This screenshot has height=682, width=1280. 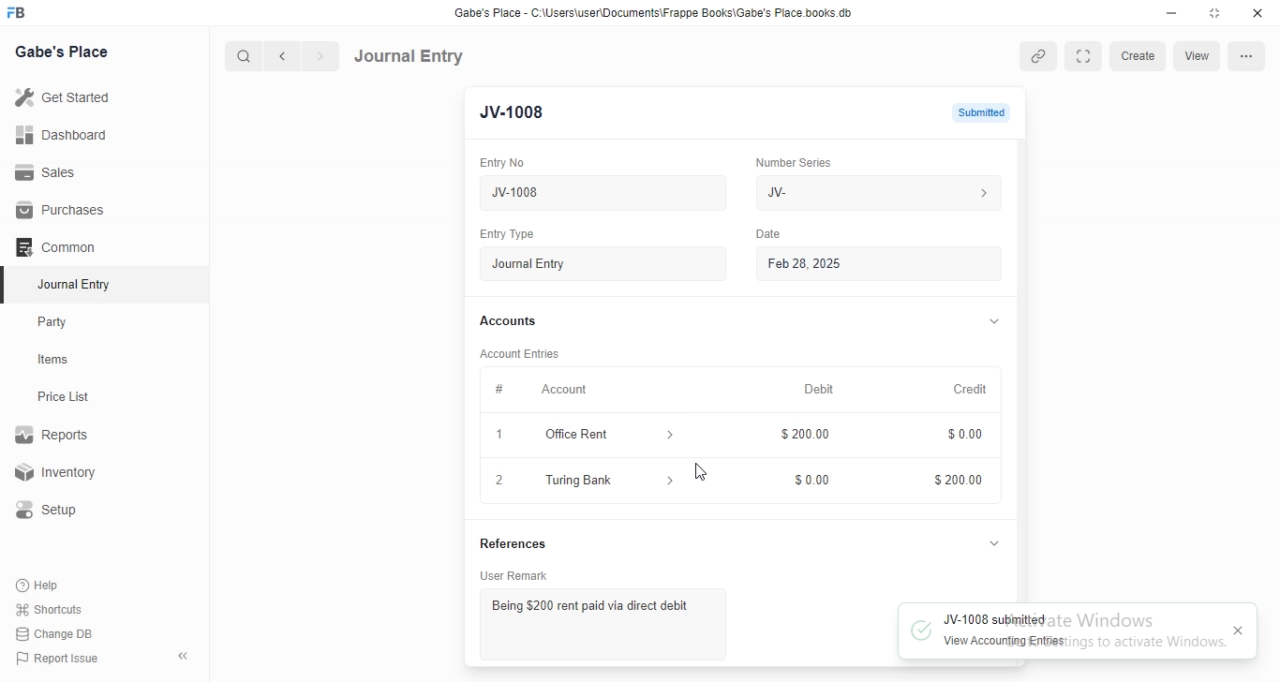 What do you see at coordinates (281, 57) in the screenshot?
I see `backward` at bounding box center [281, 57].